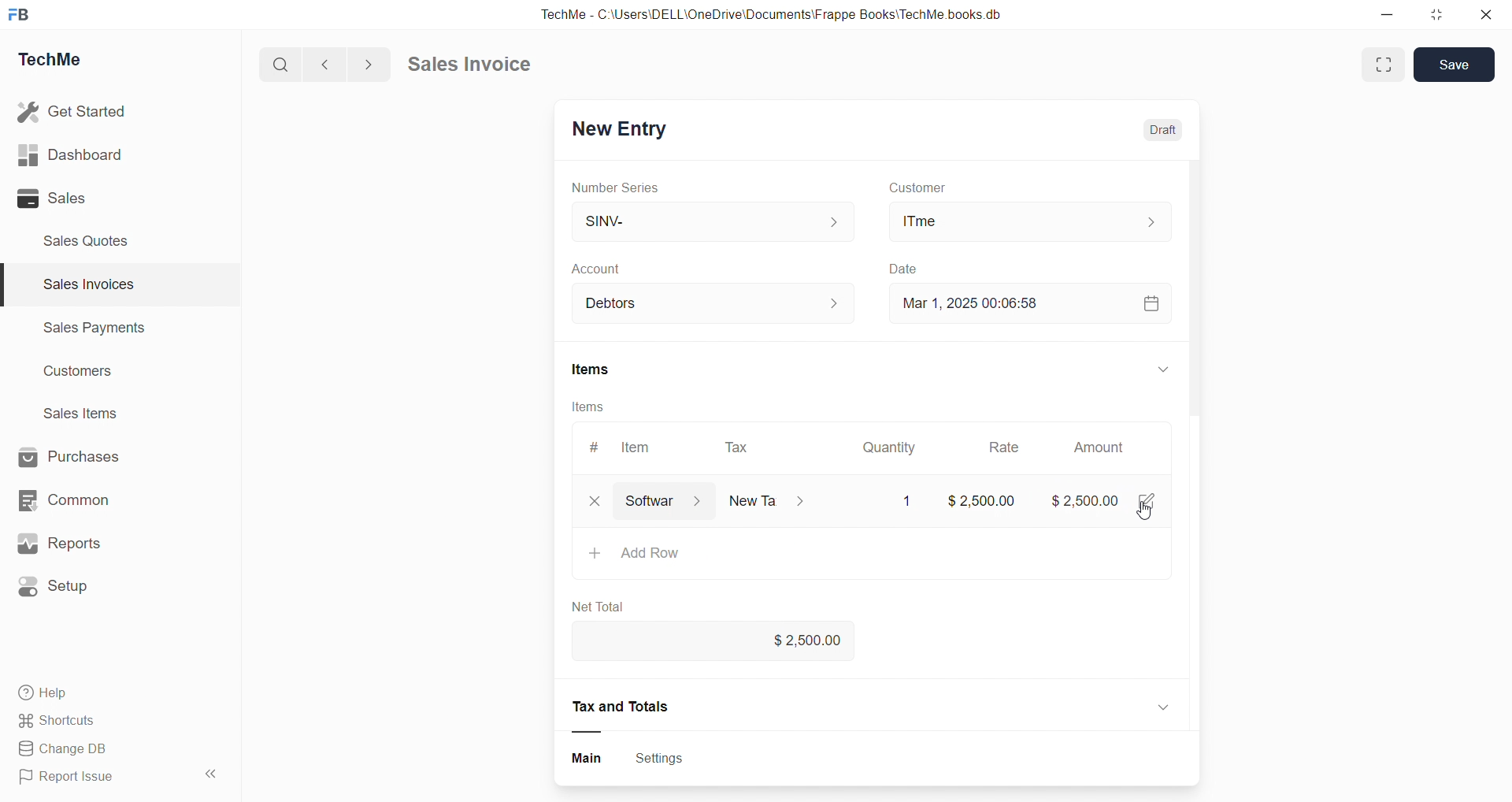 The height and width of the screenshot is (802, 1512). I want to click on Close, so click(1490, 18).